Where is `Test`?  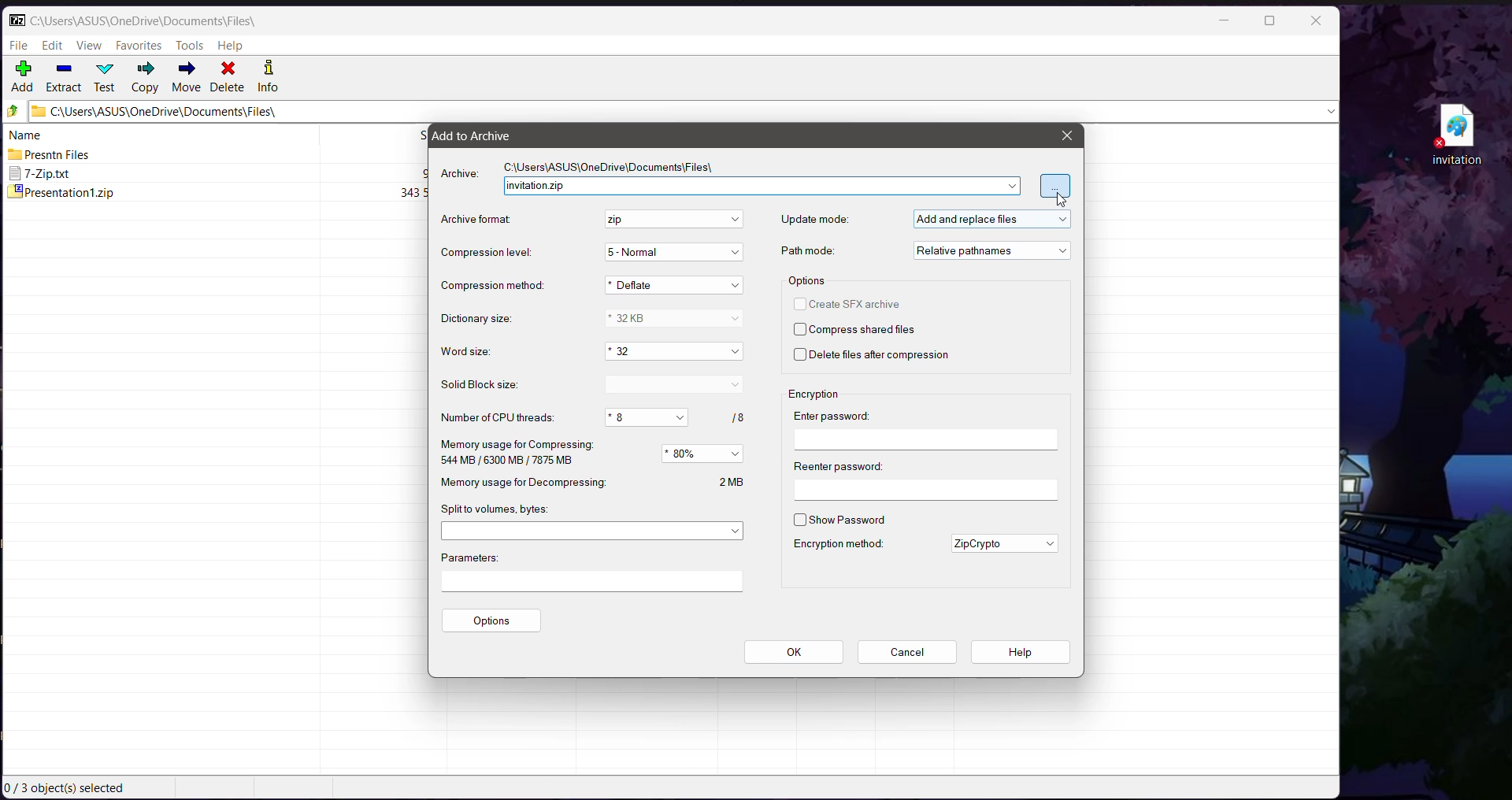
Test is located at coordinates (106, 76).